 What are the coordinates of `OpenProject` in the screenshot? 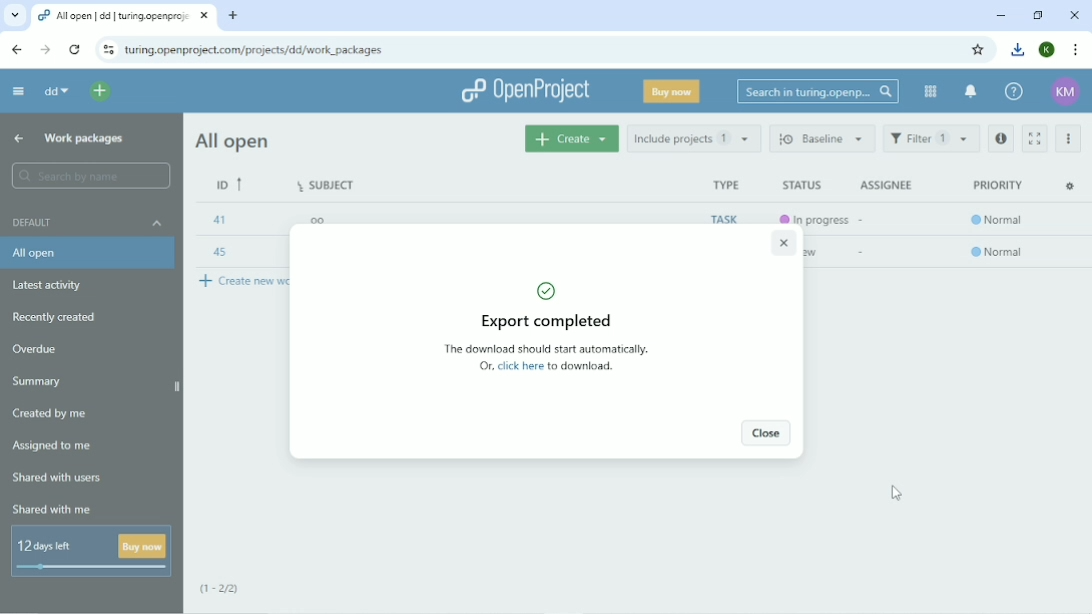 It's located at (524, 91).